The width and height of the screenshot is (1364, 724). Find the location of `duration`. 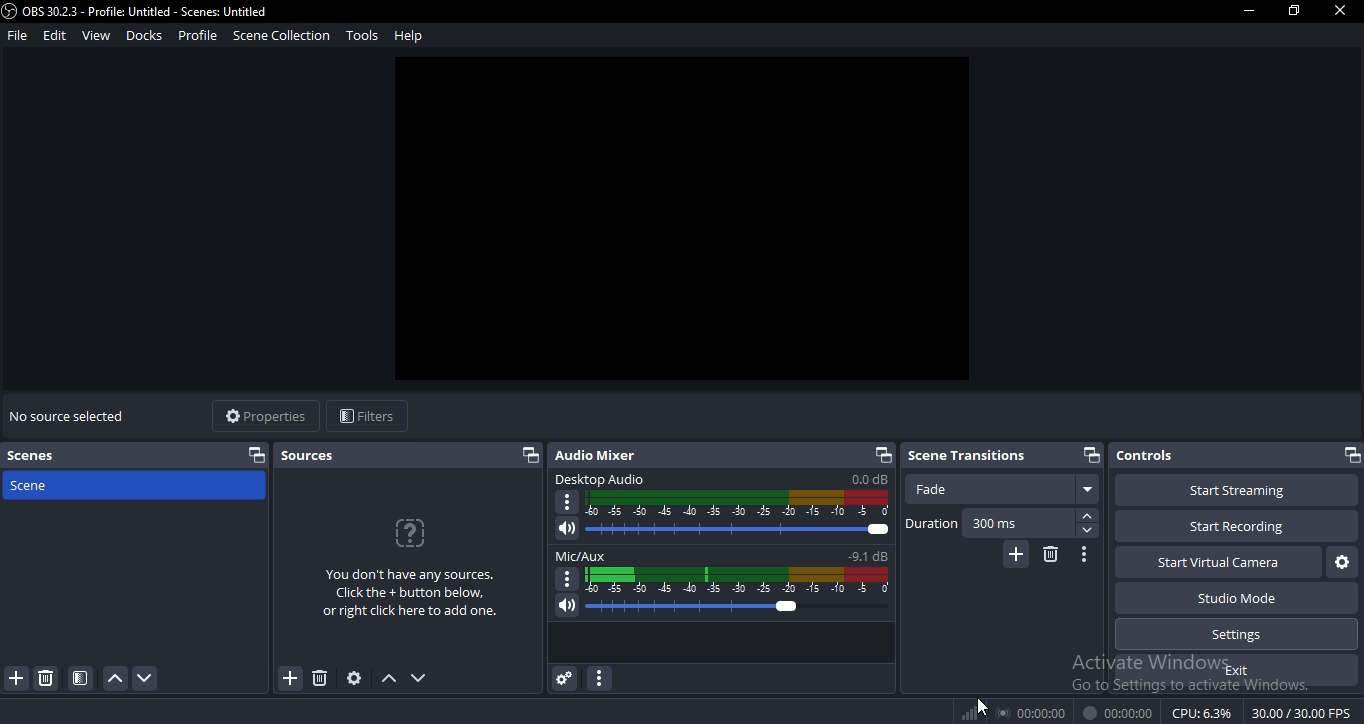

duration is located at coordinates (1002, 523).